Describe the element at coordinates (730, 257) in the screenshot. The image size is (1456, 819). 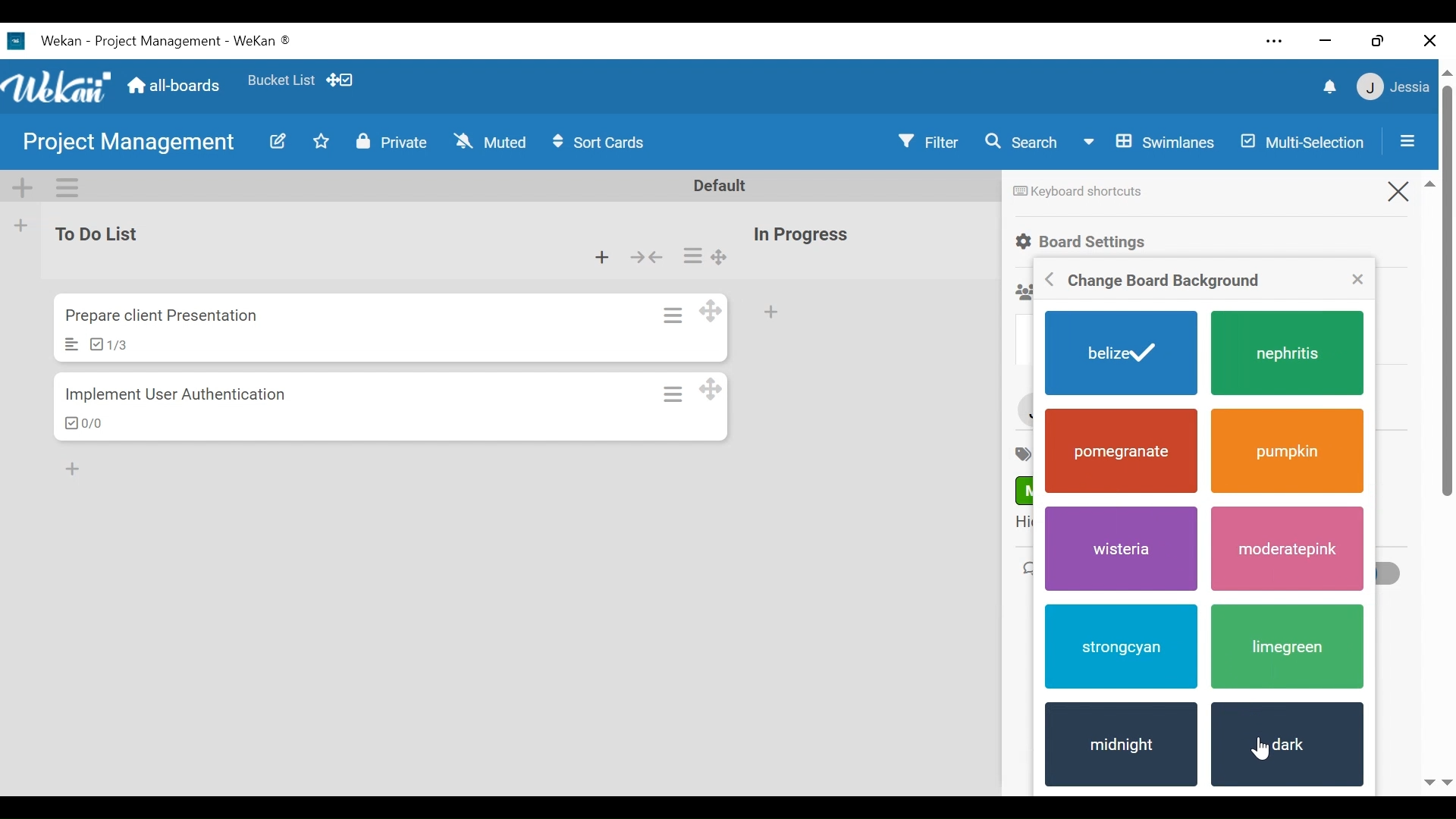
I see `Desktop drag handles` at that location.